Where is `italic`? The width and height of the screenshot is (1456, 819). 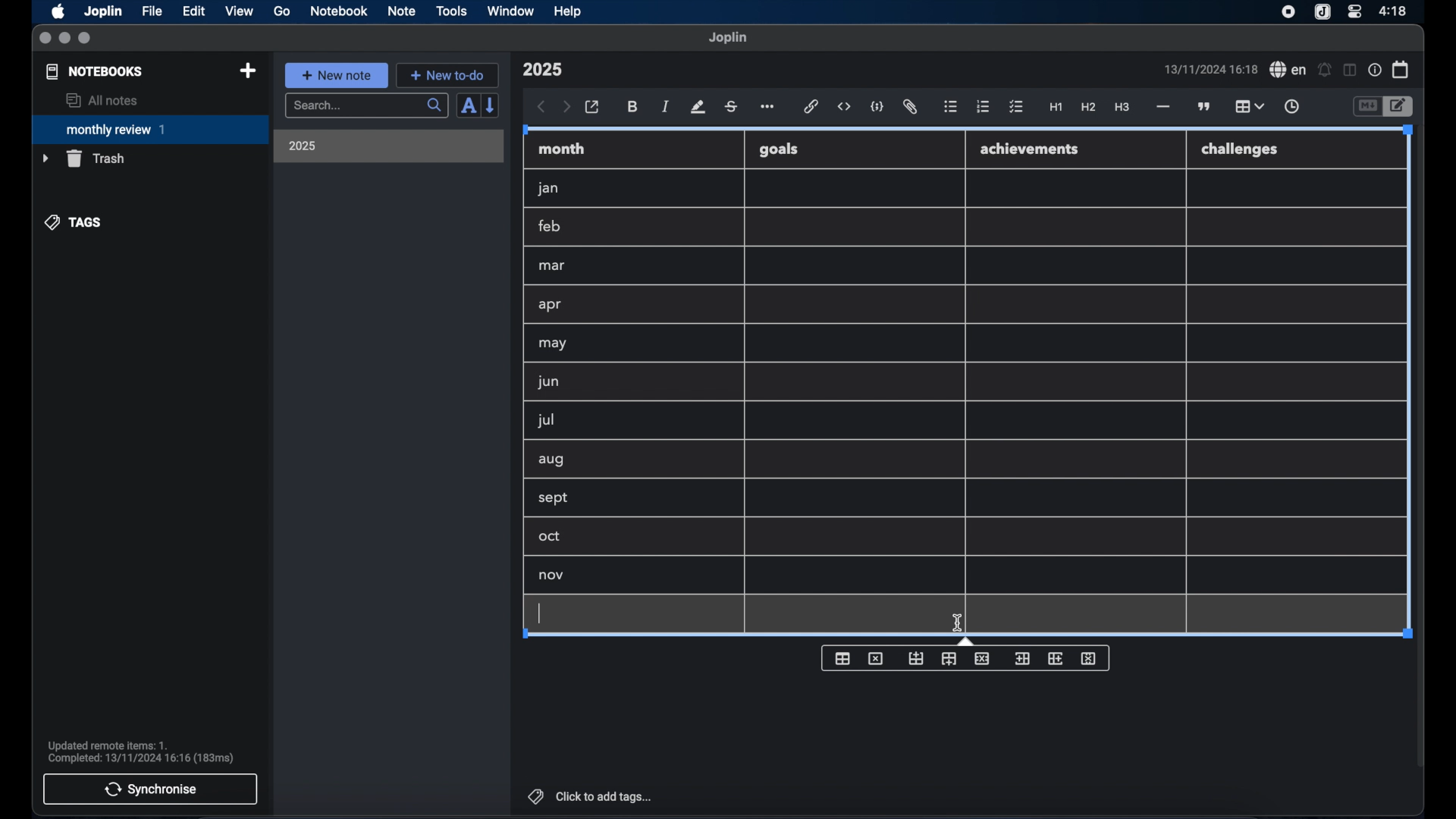 italic is located at coordinates (666, 106).